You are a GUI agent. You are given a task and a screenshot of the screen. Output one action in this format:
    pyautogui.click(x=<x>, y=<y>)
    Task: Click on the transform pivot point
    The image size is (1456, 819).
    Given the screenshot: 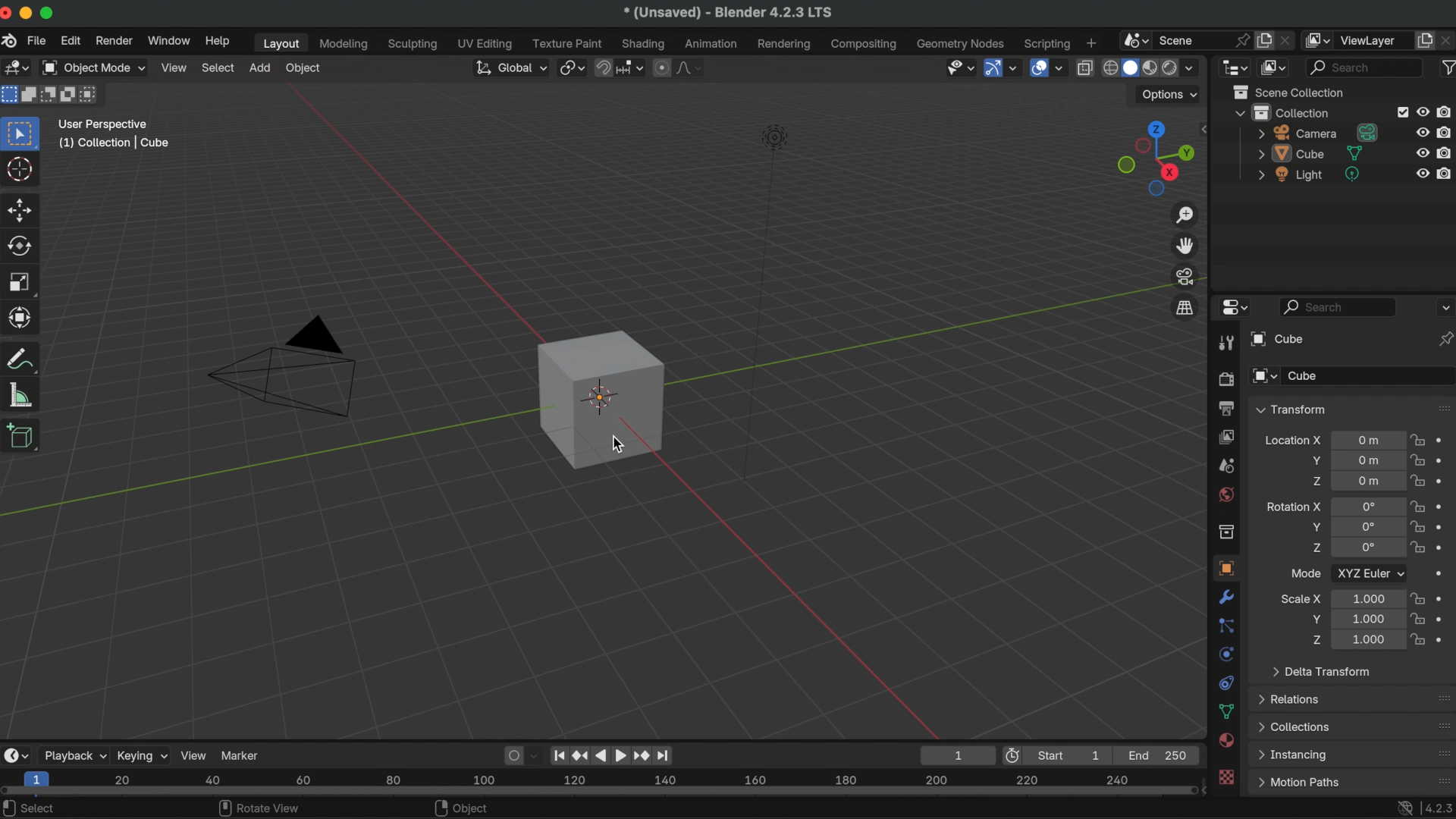 What is the action you would take?
    pyautogui.click(x=570, y=65)
    